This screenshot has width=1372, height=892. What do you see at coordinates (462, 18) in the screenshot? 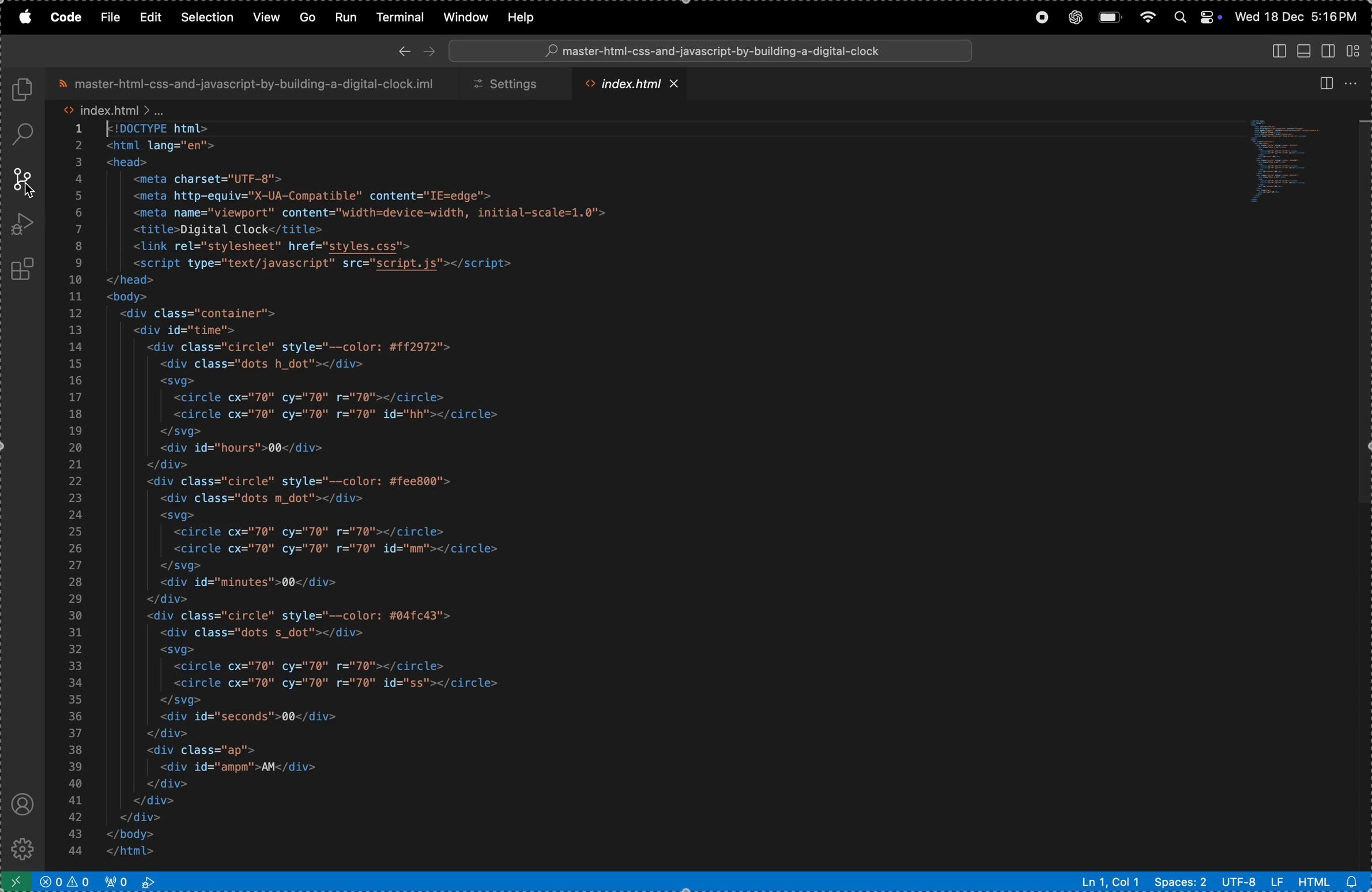
I see `window` at bounding box center [462, 18].